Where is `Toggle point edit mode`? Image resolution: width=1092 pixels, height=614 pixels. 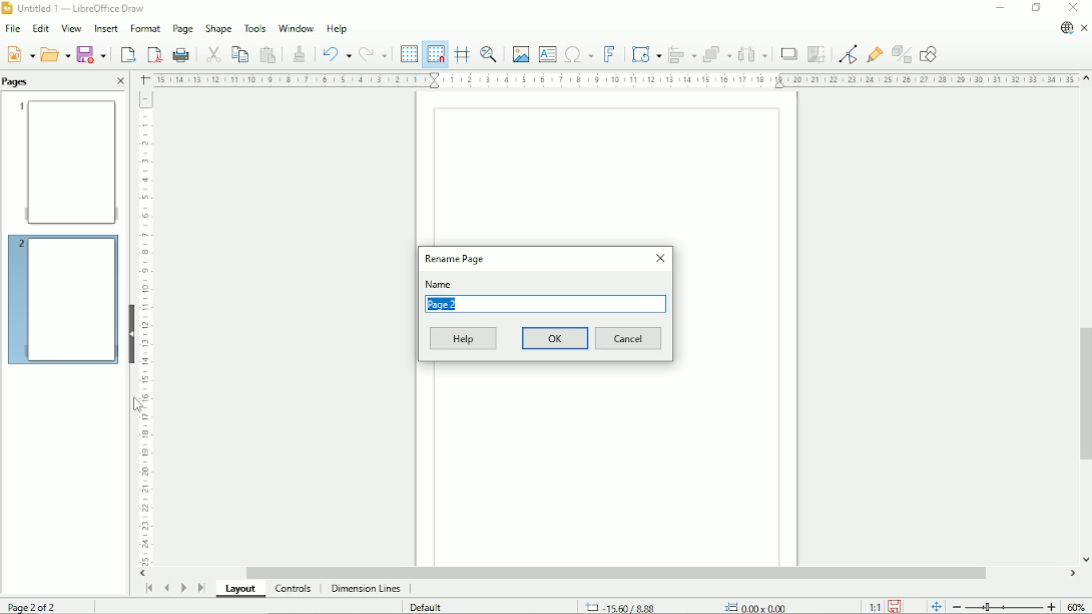 Toggle point edit mode is located at coordinates (850, 53).